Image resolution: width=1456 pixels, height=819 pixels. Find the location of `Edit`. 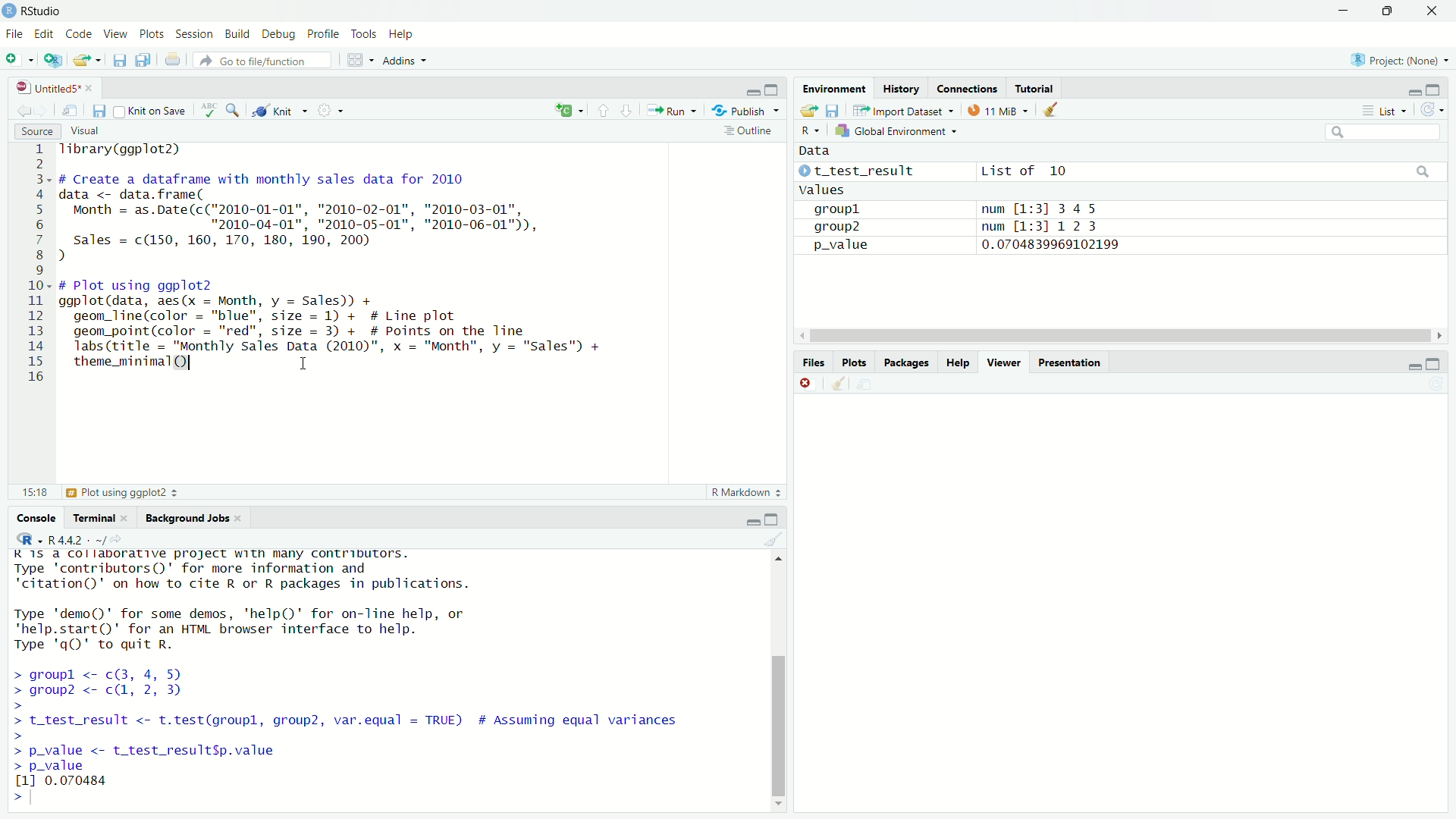

Edit is located at coordinates (42, 32).